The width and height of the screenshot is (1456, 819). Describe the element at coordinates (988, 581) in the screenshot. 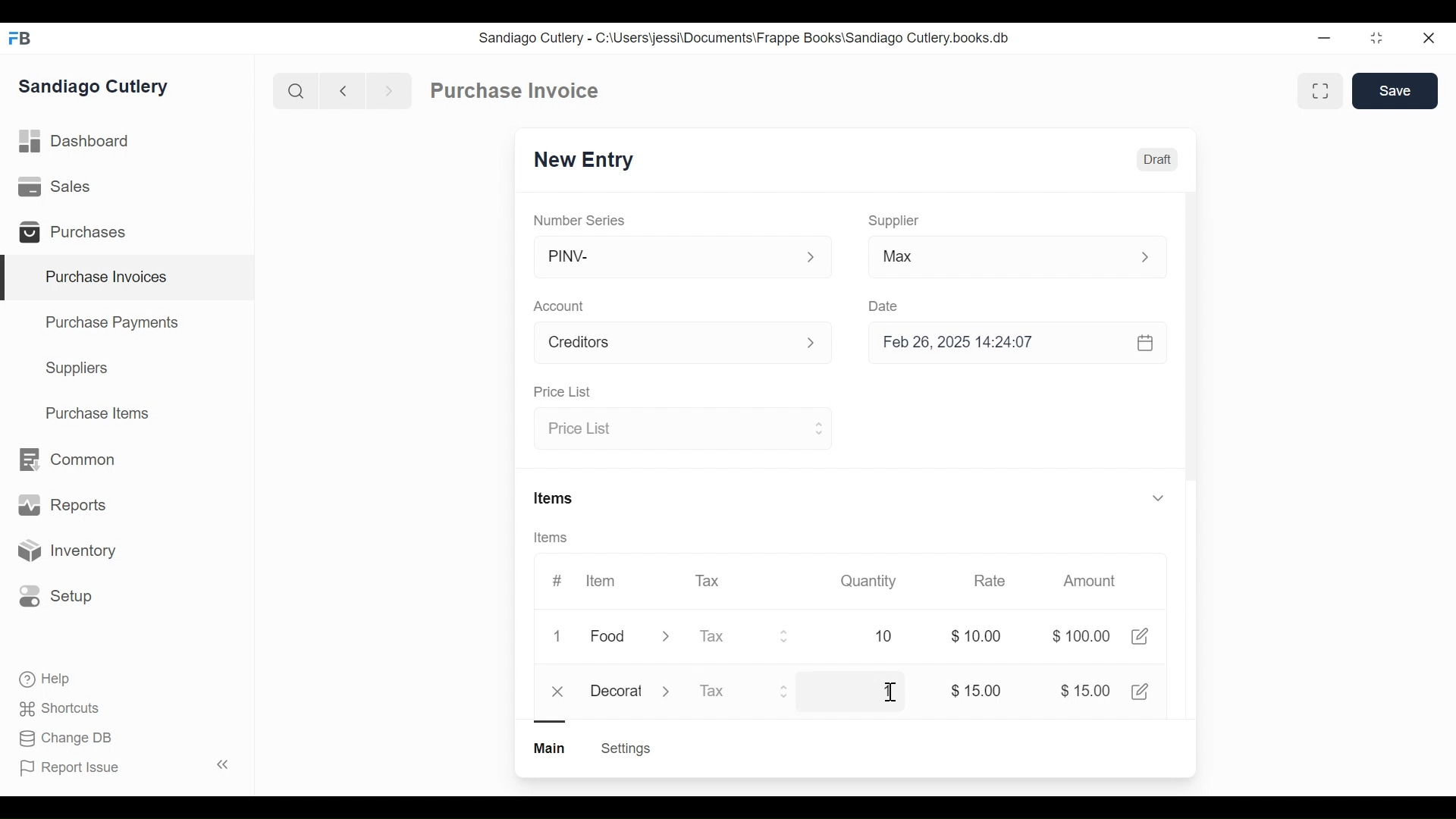

I see `Rate` at that location.